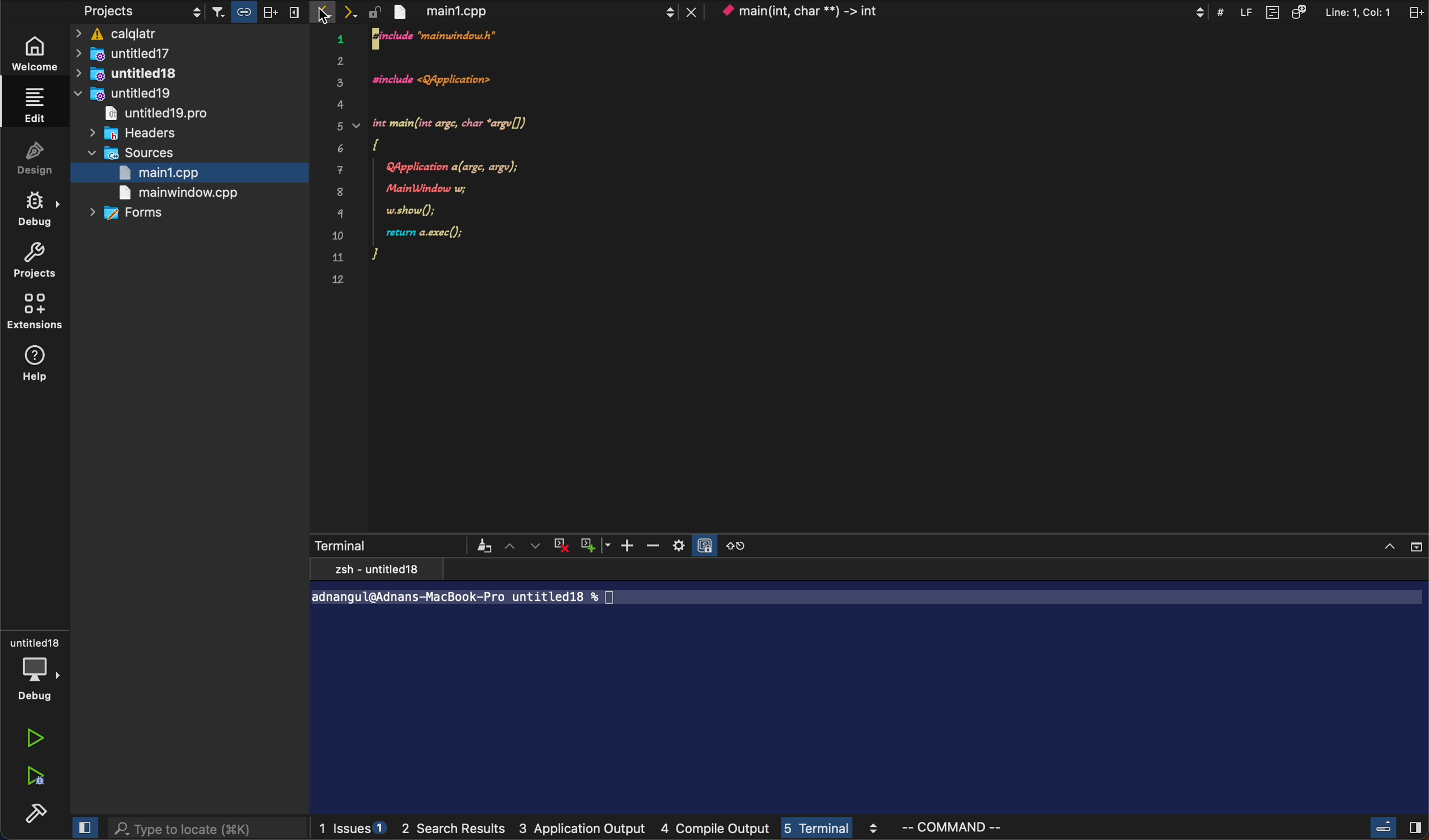  I want to click on untitled 18, so click(141, 74).